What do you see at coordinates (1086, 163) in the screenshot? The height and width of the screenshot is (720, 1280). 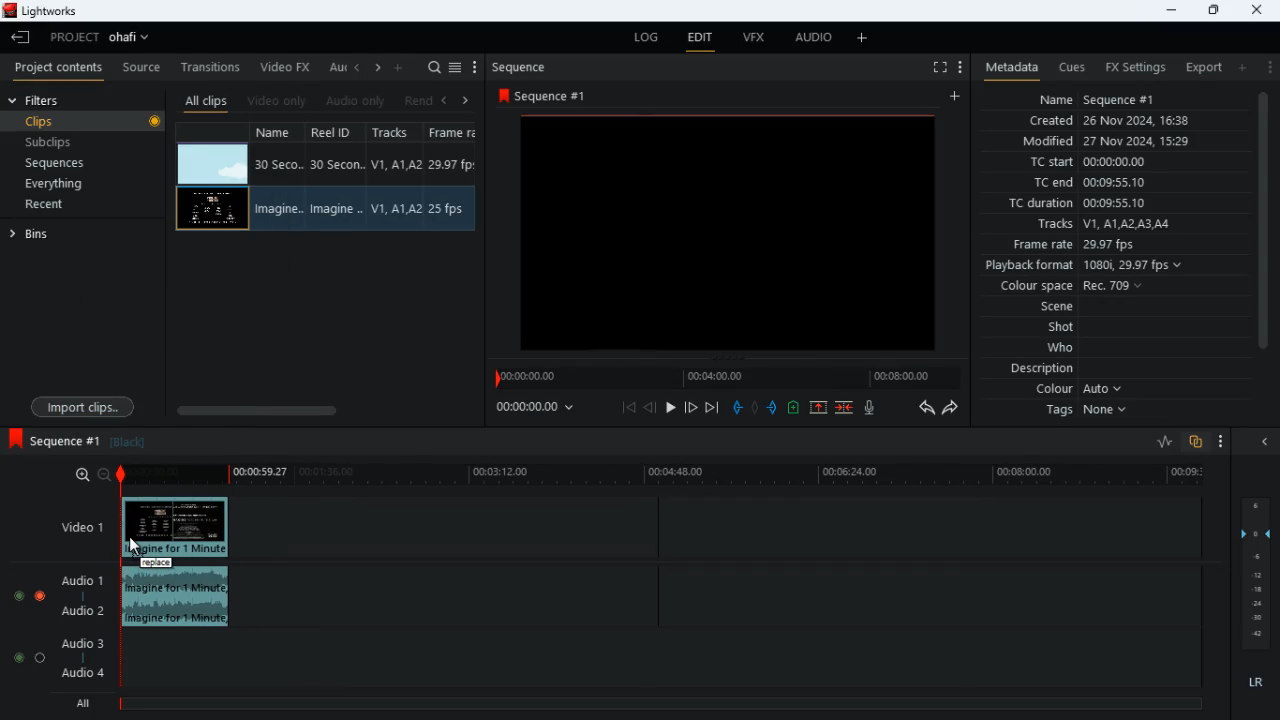 I see `tc start` at bounding box center [1086, 163].